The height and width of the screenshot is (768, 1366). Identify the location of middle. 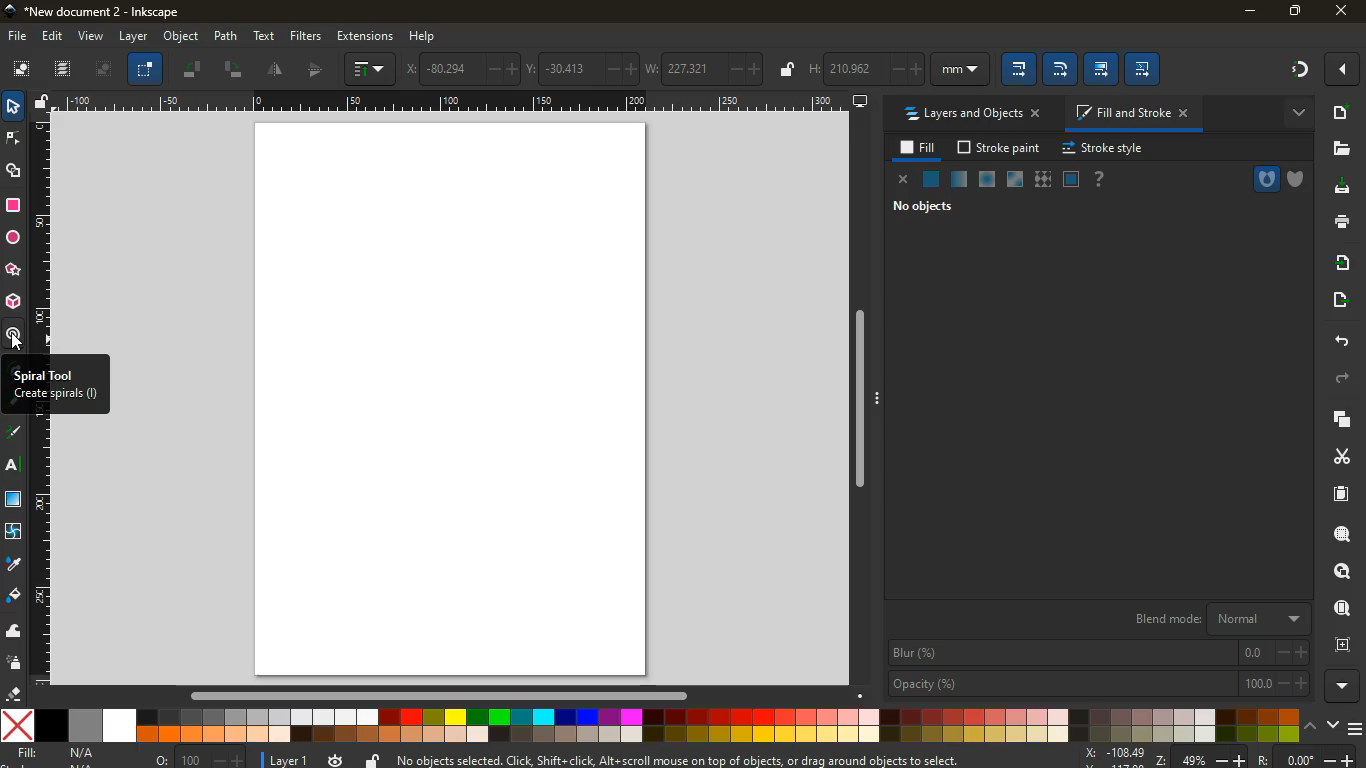
(313, 71).